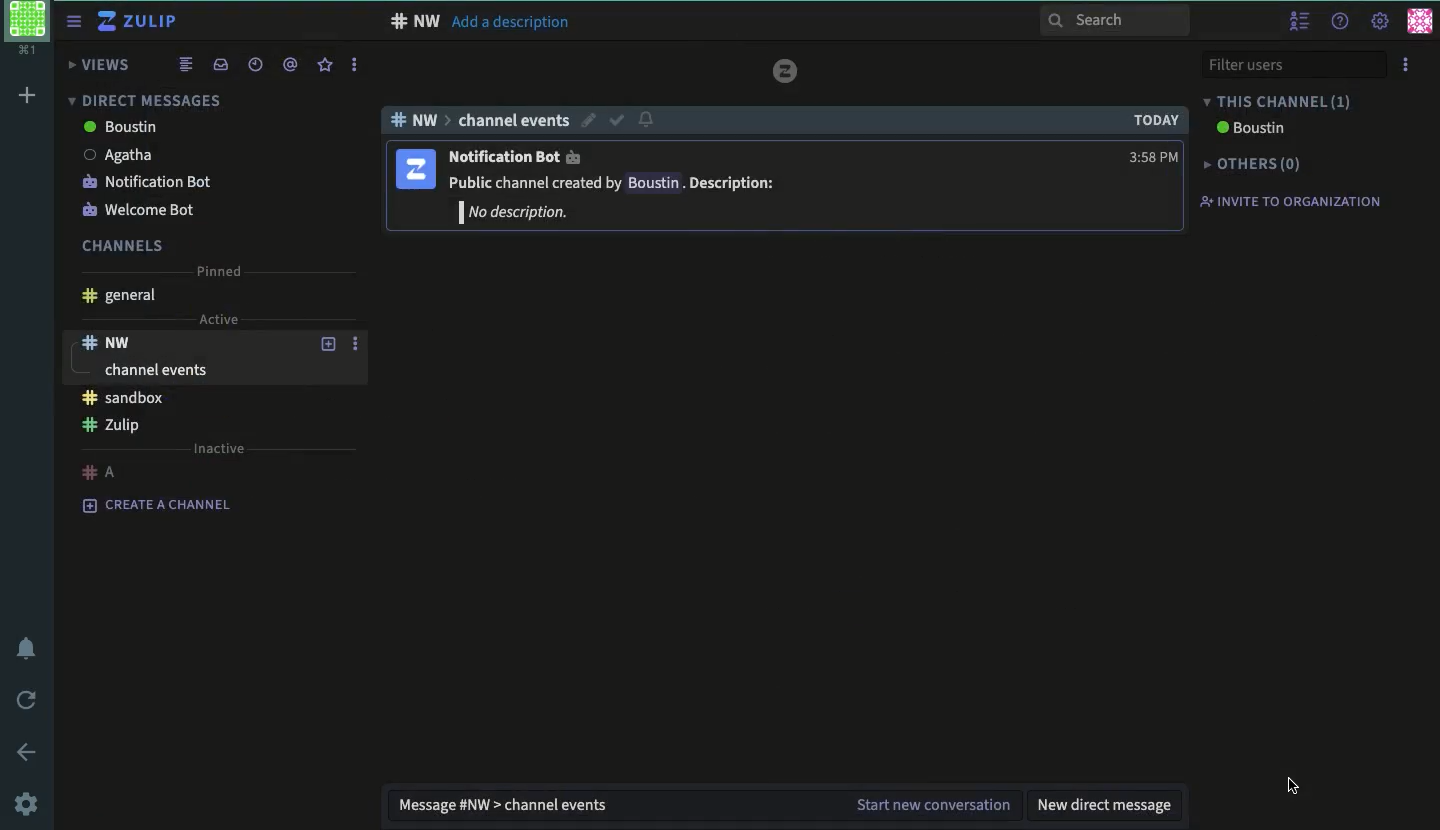  What do you see at coordinates (161, 369) in the screenshot?
I see `channel events` at bounding box center [161, 369].